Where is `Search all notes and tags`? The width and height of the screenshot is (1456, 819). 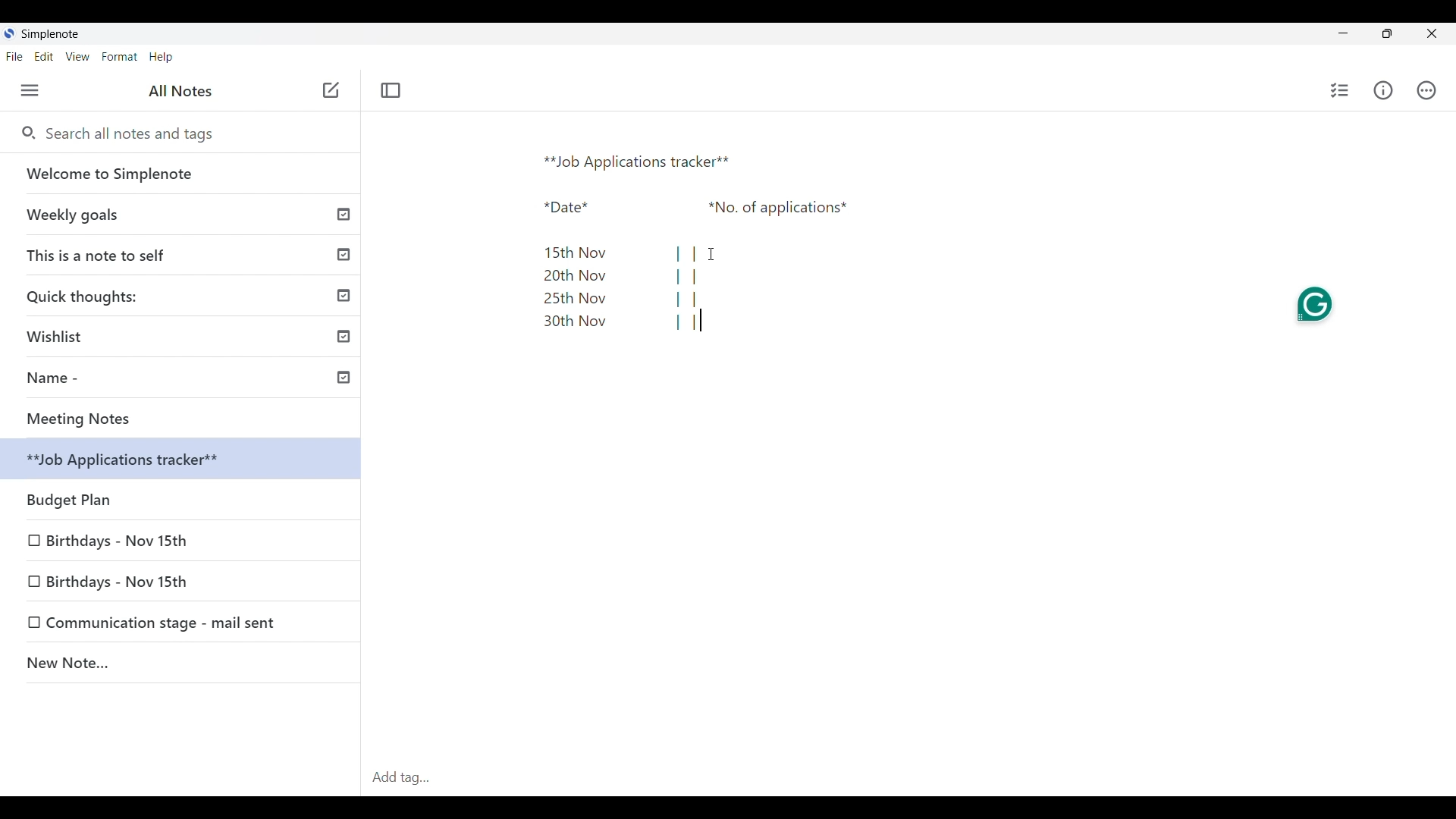
Search all notes and tags is located at coordinates (135, 133).